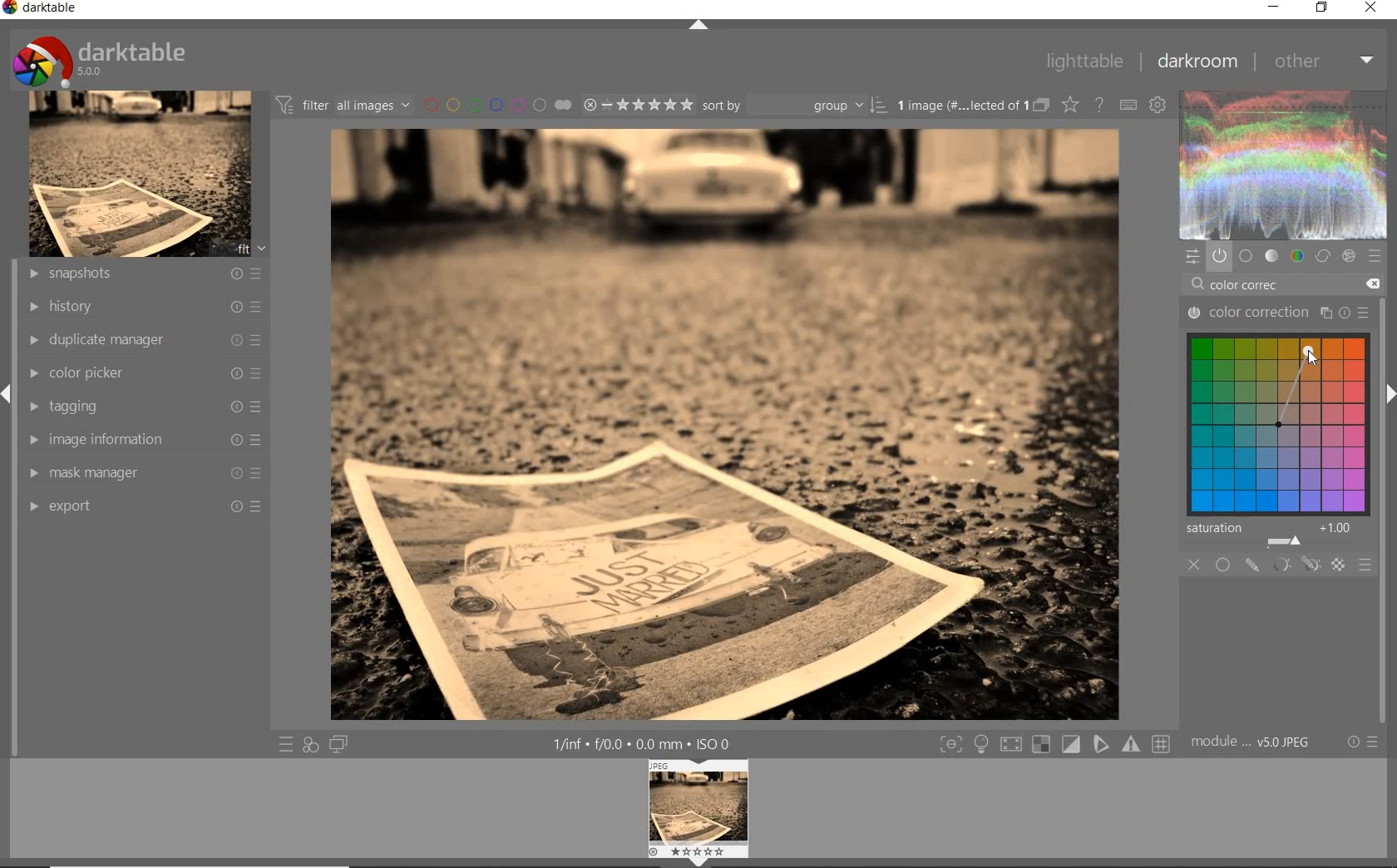 This screenshot has width=1397, height=868. What do you see at coordinates (1194, 565) in the screenshot?
I see `close` at bounding box center [1194, 565].